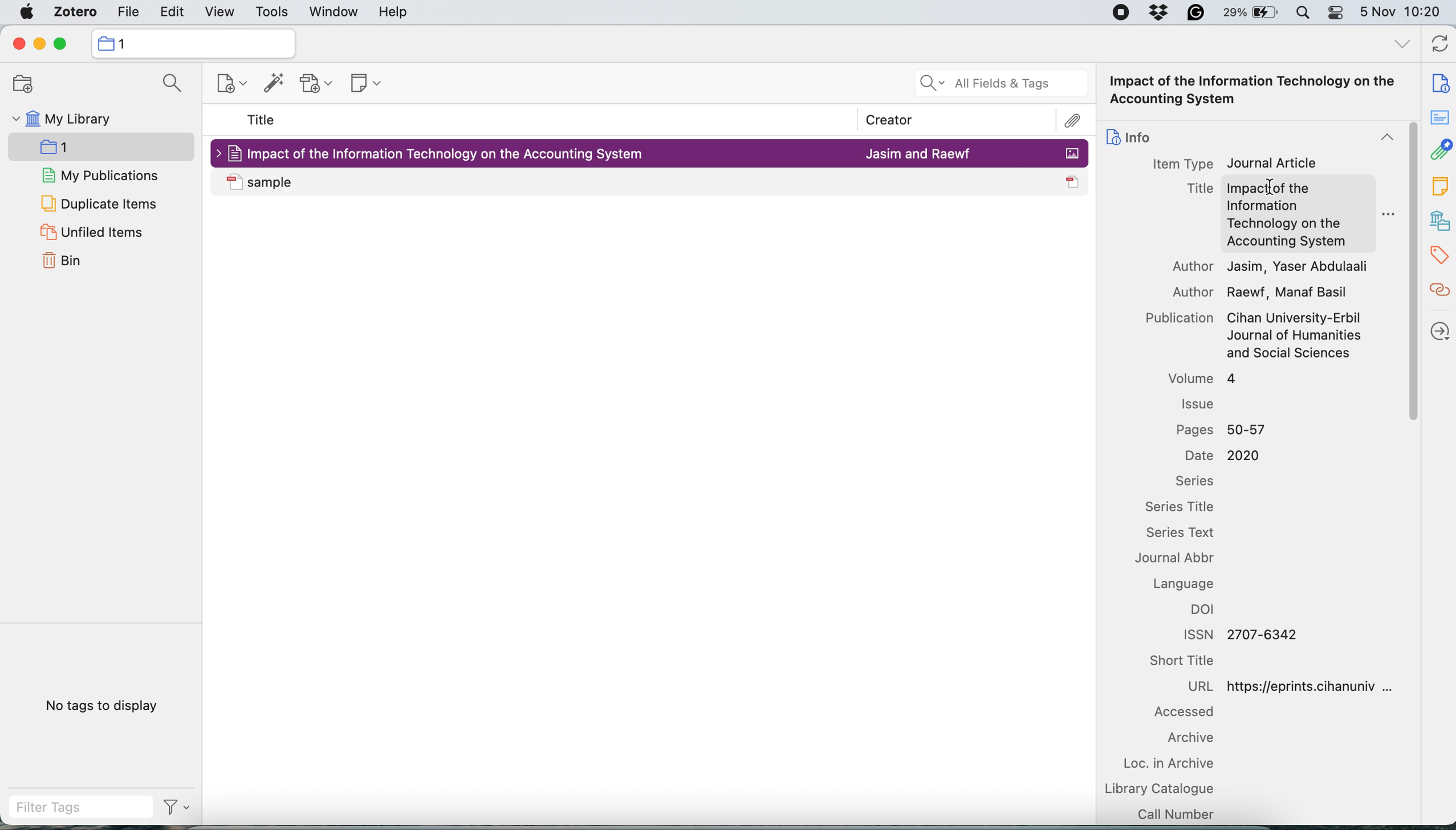 The image size is (1456, 830). I want to click on maximise, so click(61, 44).